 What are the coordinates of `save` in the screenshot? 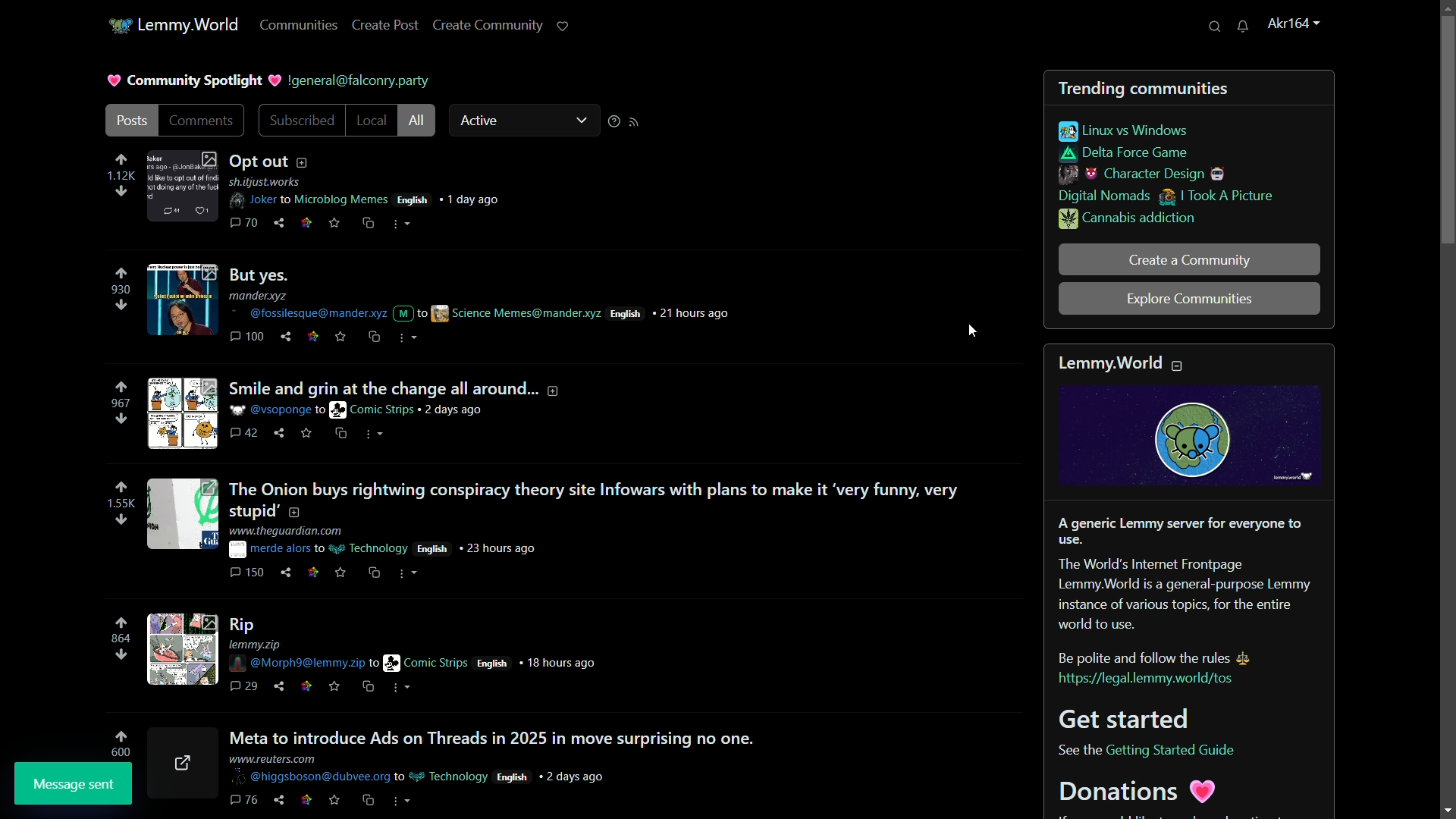 It's located at (335, 801).